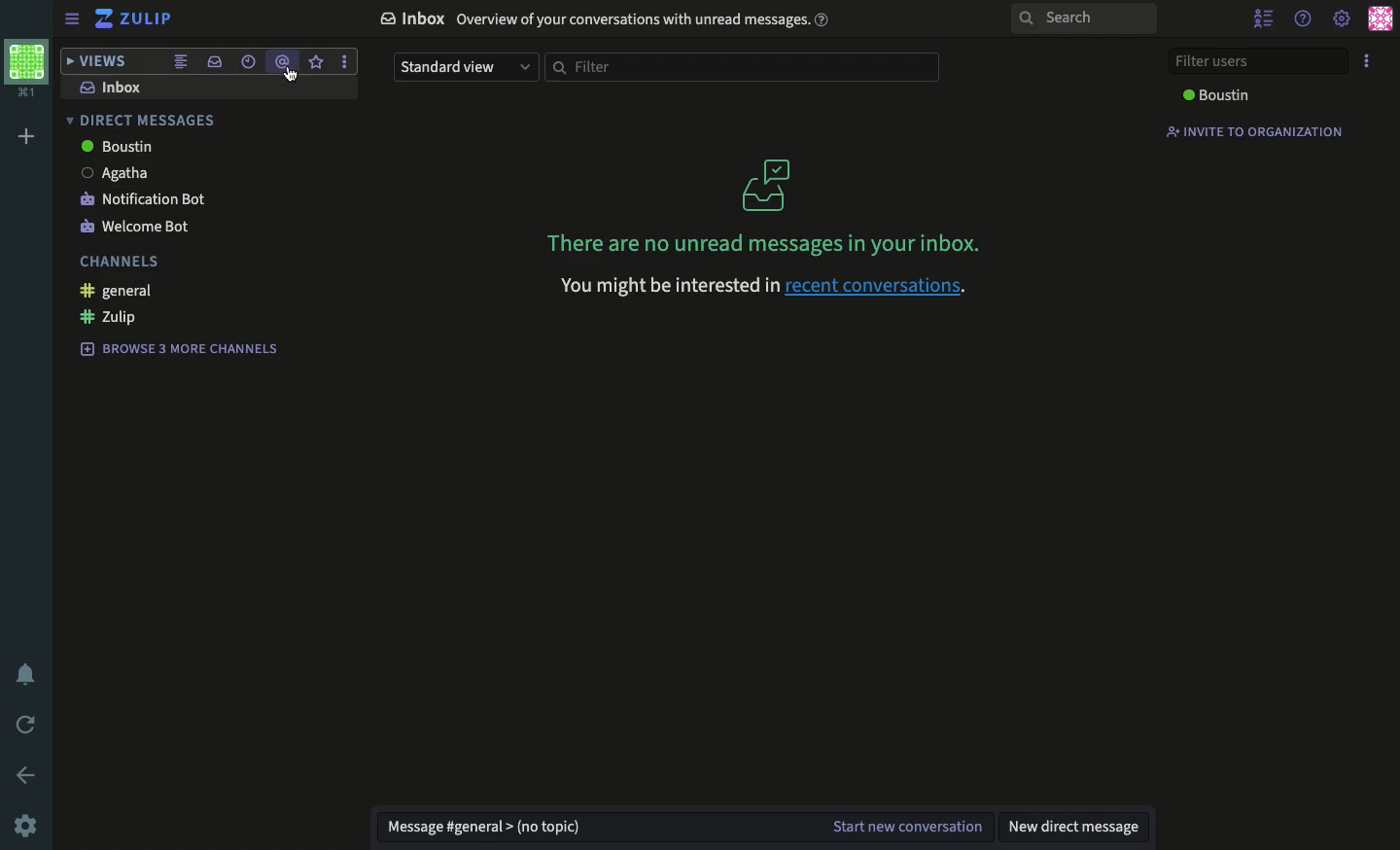 This screenshot has height=850, width=1400. What do you see at coordinates (144, 199) in the screenshot?
I see `notification bot` at bounding box center [144, 199].